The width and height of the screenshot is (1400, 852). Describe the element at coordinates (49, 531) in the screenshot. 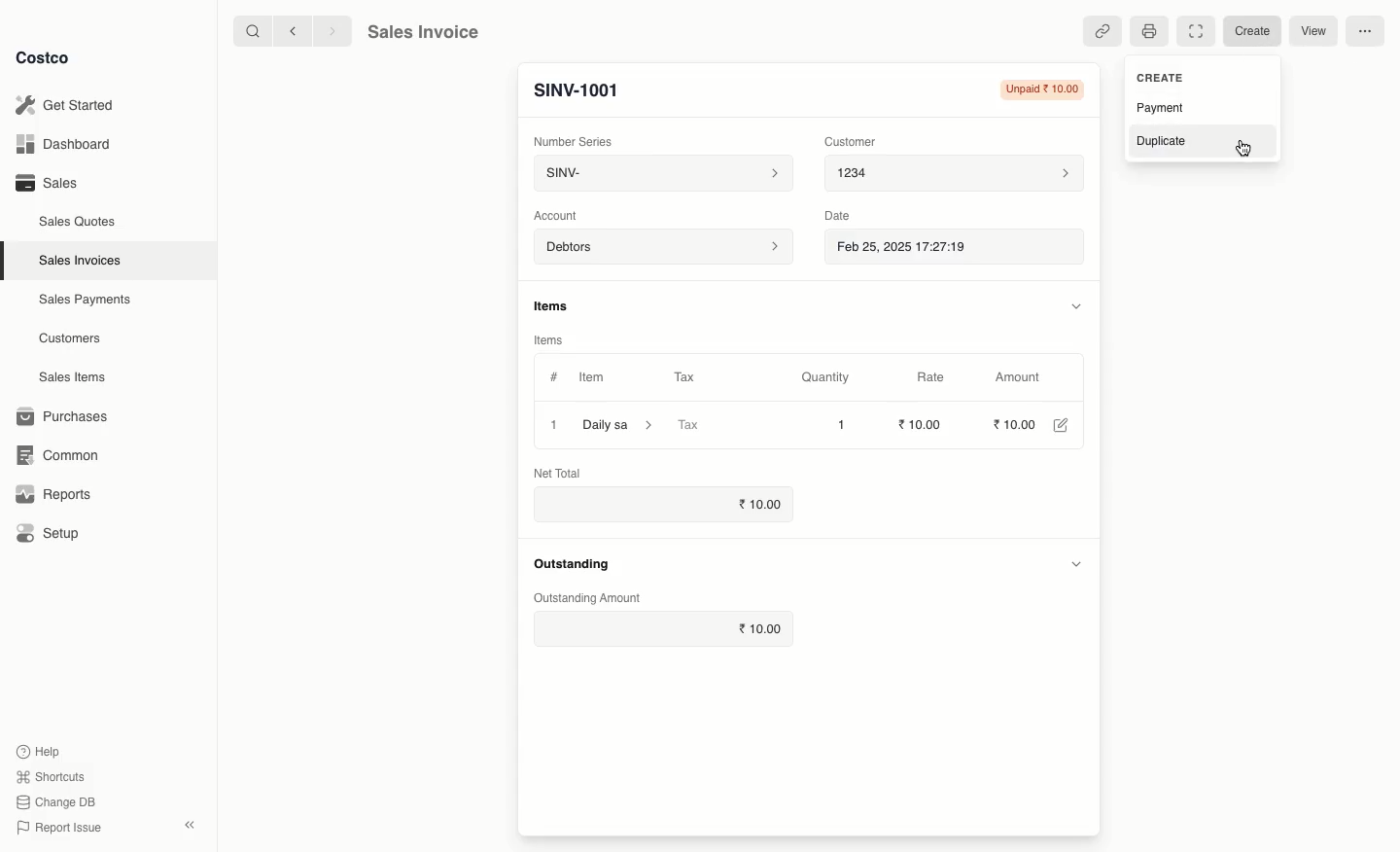

I see `Setup` at that location.